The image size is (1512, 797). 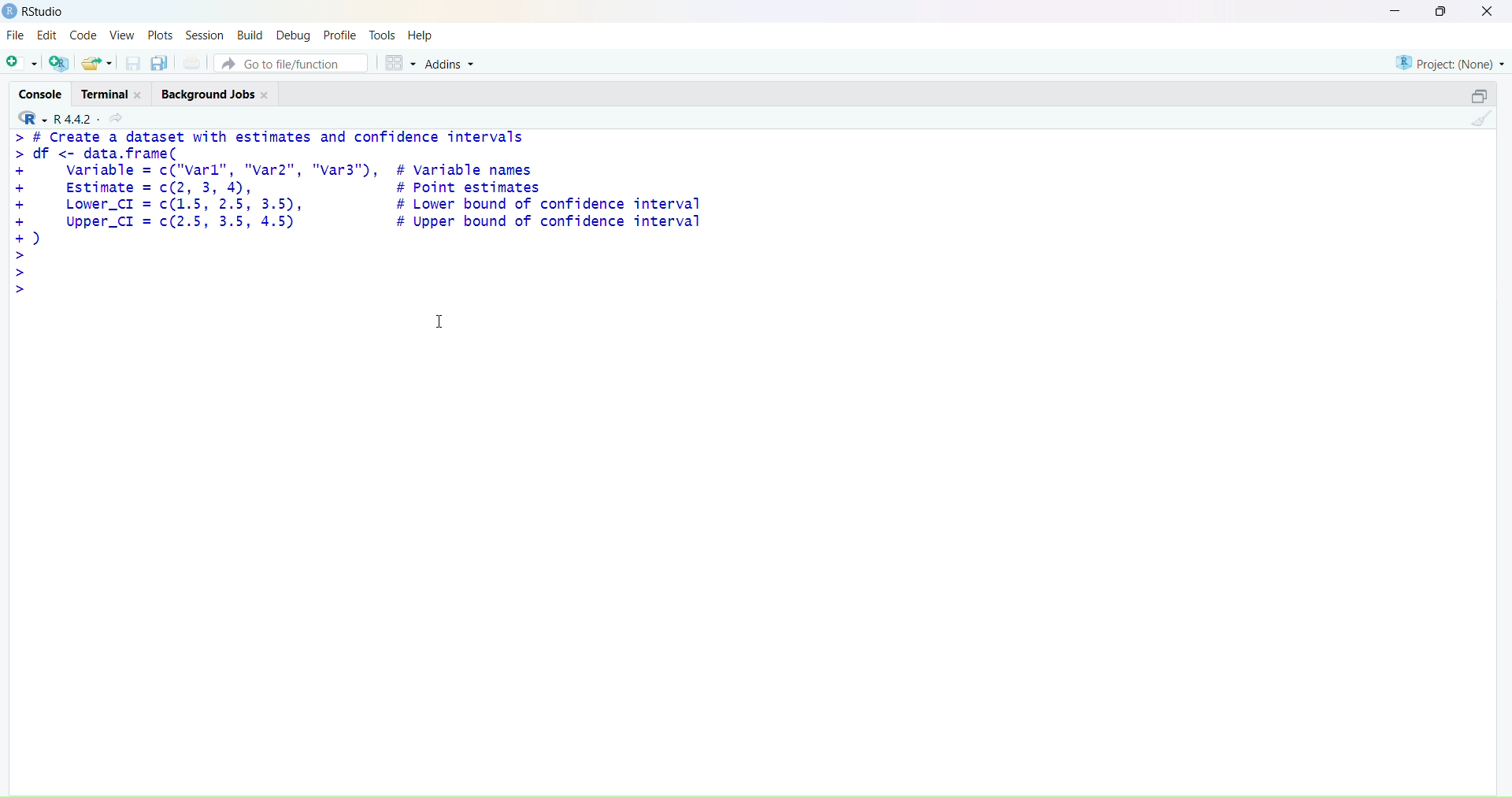 What do you see at coordinates (291, 35) in the screenshot?
I see `Debug` at bounding box center [291, 35].